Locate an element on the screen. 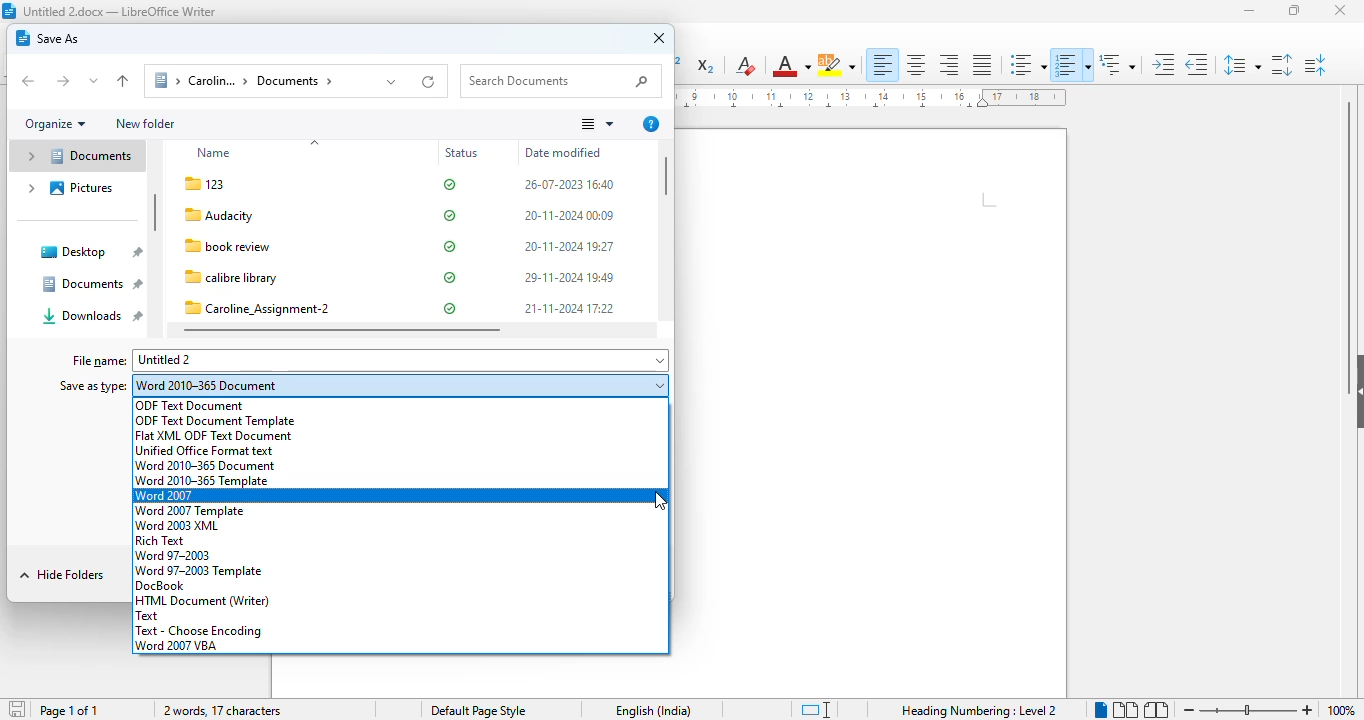 Image resolution: width=1364 pixels, height=720 pixels. 2 words, 17 characters is located at coordinates (223, 711).